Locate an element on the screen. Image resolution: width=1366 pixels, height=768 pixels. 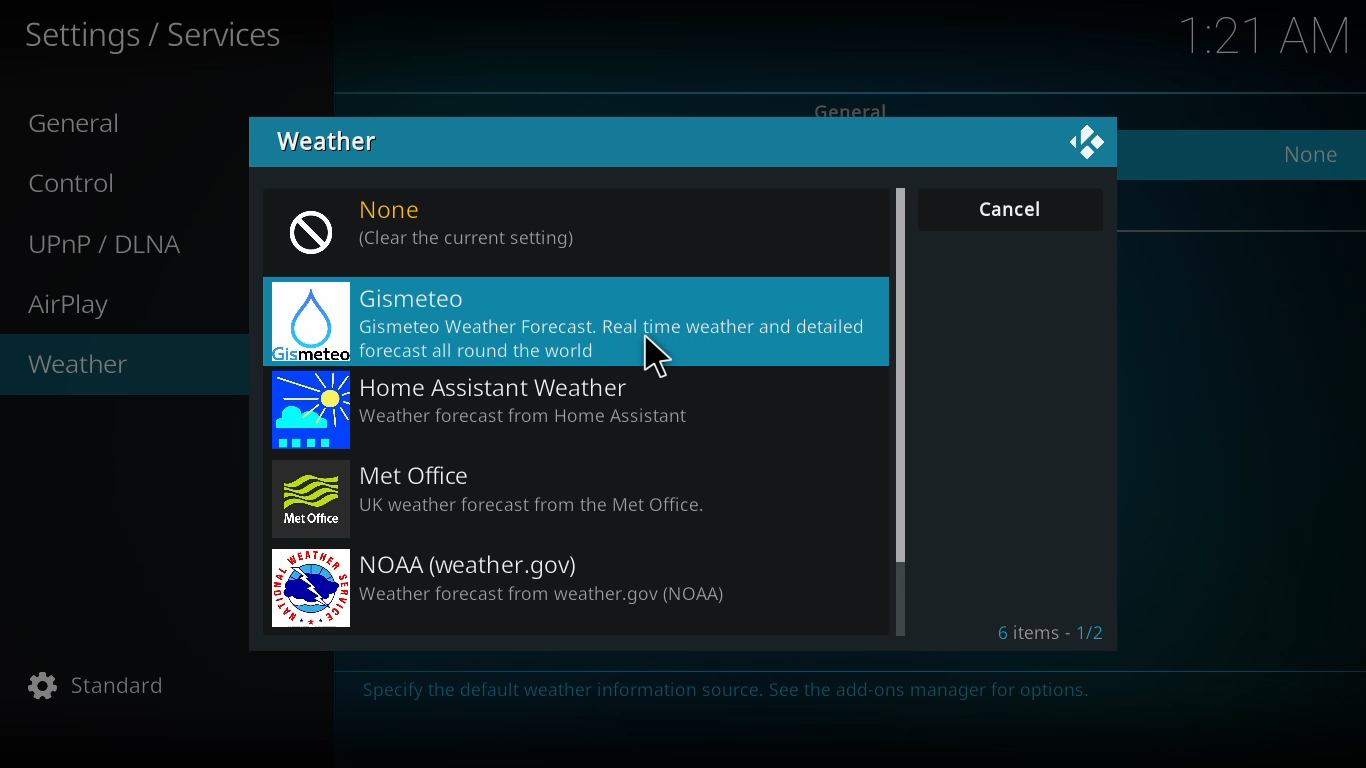
home assistant weather is located at coordinates (510, 410).